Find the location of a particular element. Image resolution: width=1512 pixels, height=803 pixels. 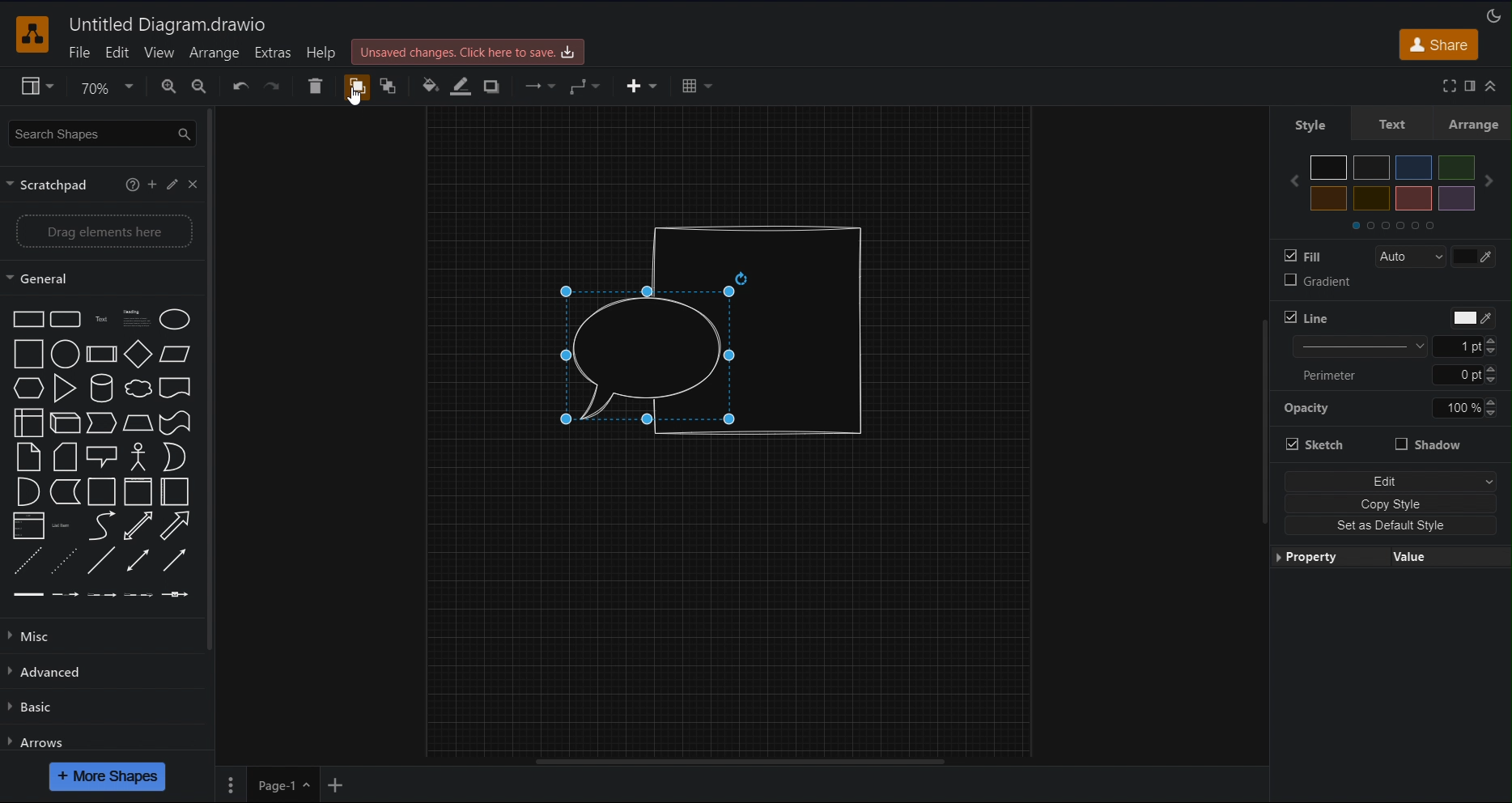

List item is located at coordinates (64, 526).